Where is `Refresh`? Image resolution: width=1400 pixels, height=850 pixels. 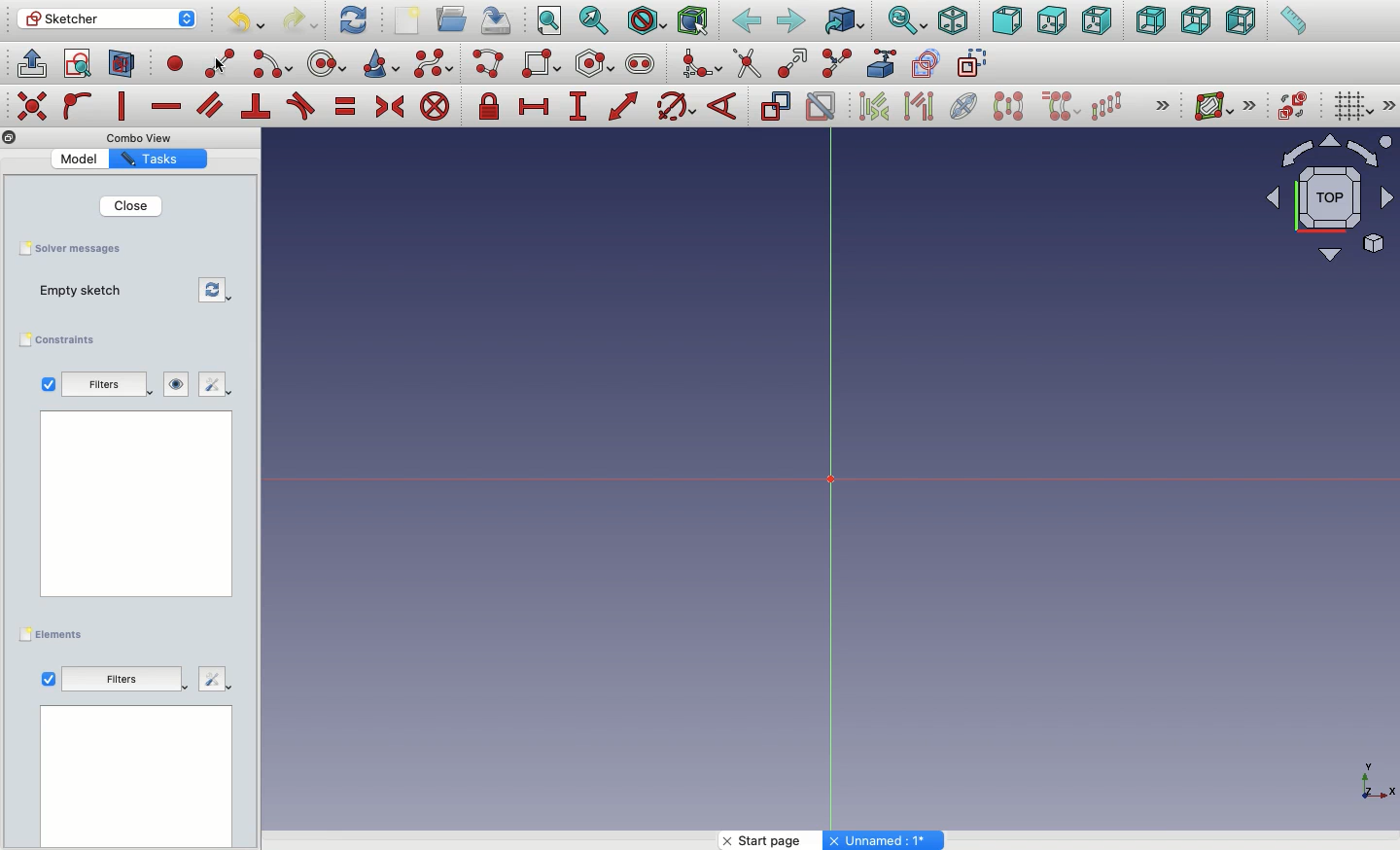 Refresh is located at coordinates (215, 291).